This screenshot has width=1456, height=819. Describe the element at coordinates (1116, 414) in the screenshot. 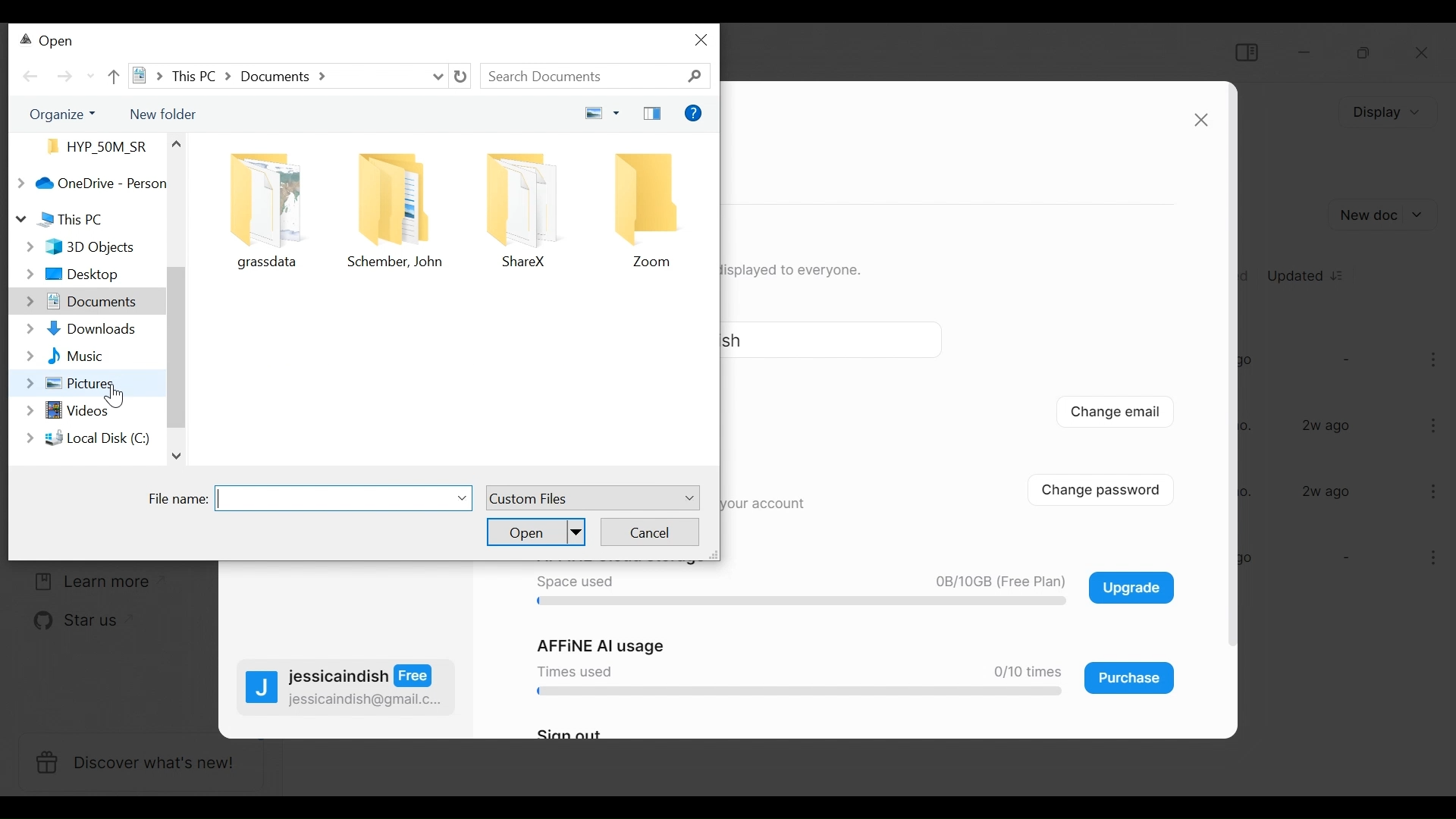

I see `Change email` at that location.